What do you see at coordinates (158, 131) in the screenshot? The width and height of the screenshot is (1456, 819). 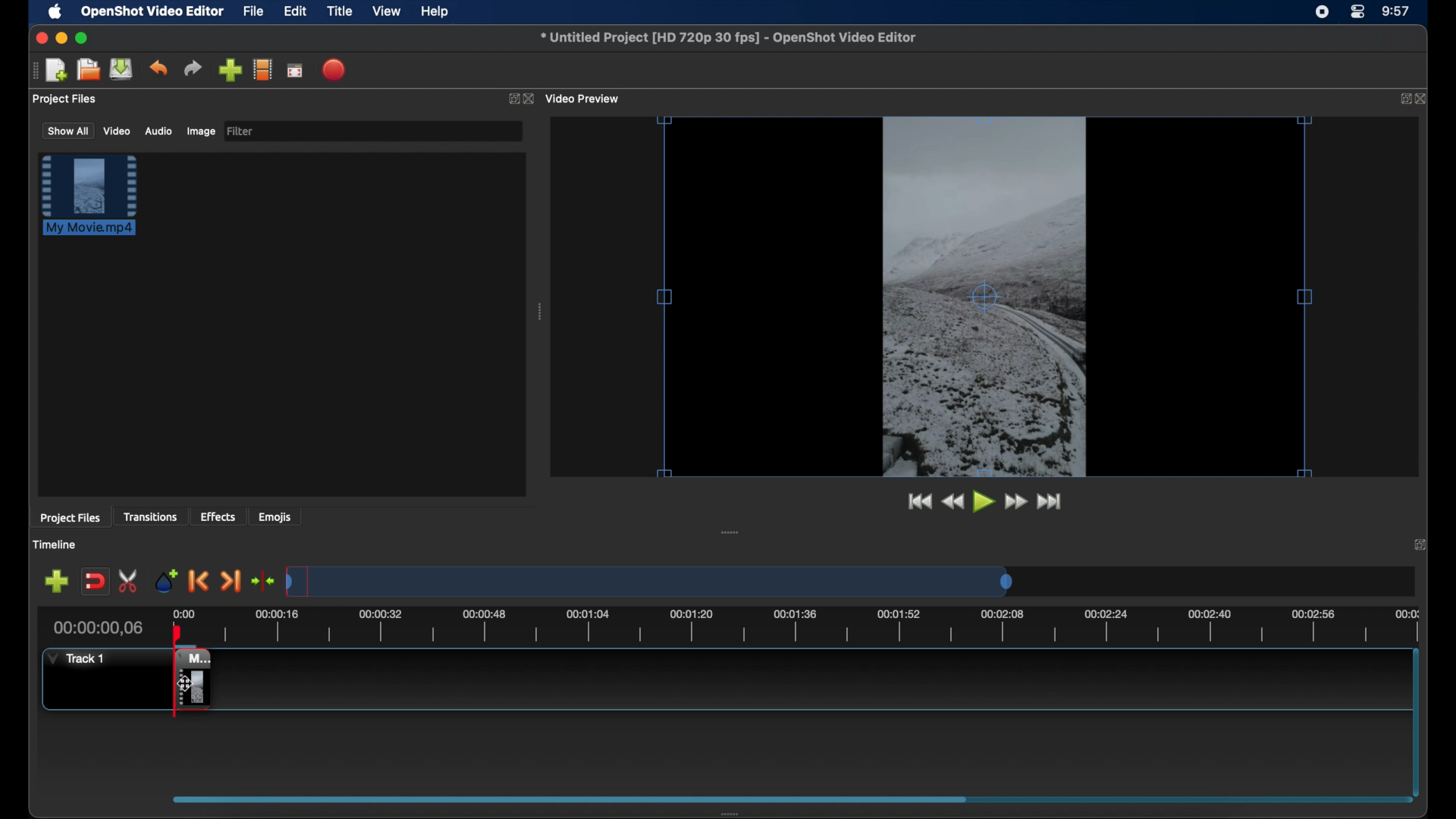 I see `audio` at bounding box center [158, 131].